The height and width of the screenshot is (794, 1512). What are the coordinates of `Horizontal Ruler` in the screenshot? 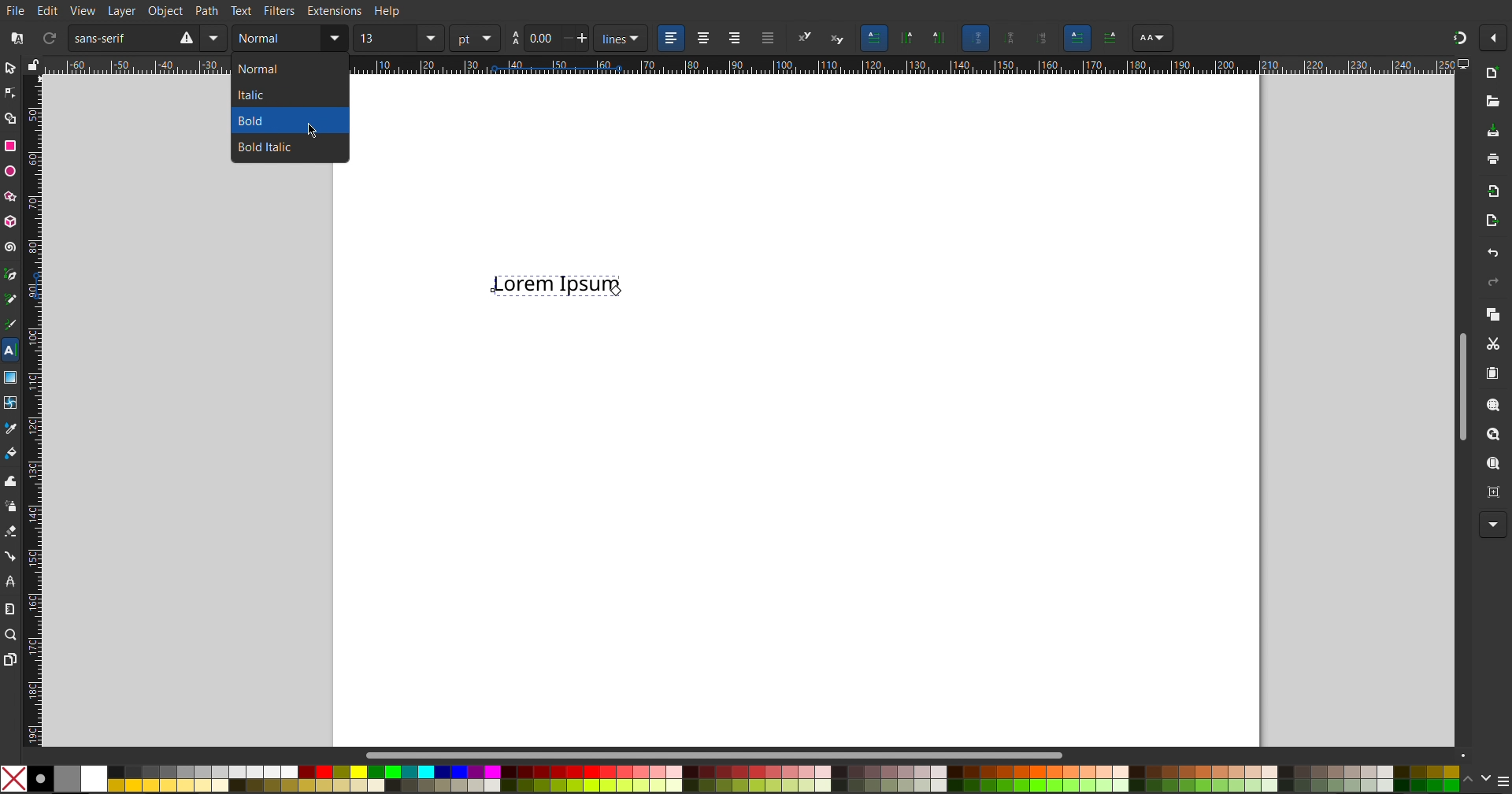 It's located at (137, 65).